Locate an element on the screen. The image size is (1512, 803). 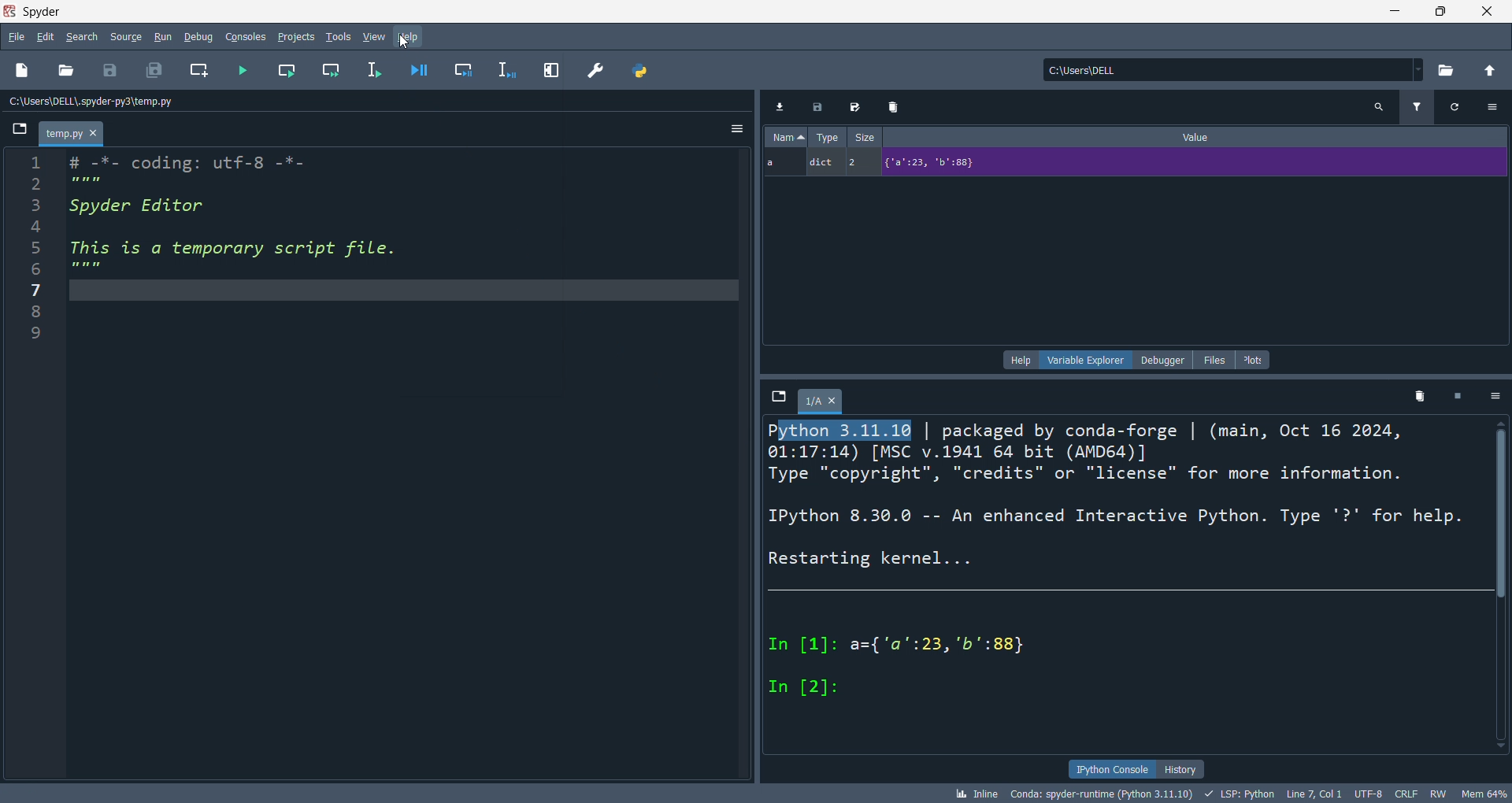
Cursor is located at coordinates (407, 42).